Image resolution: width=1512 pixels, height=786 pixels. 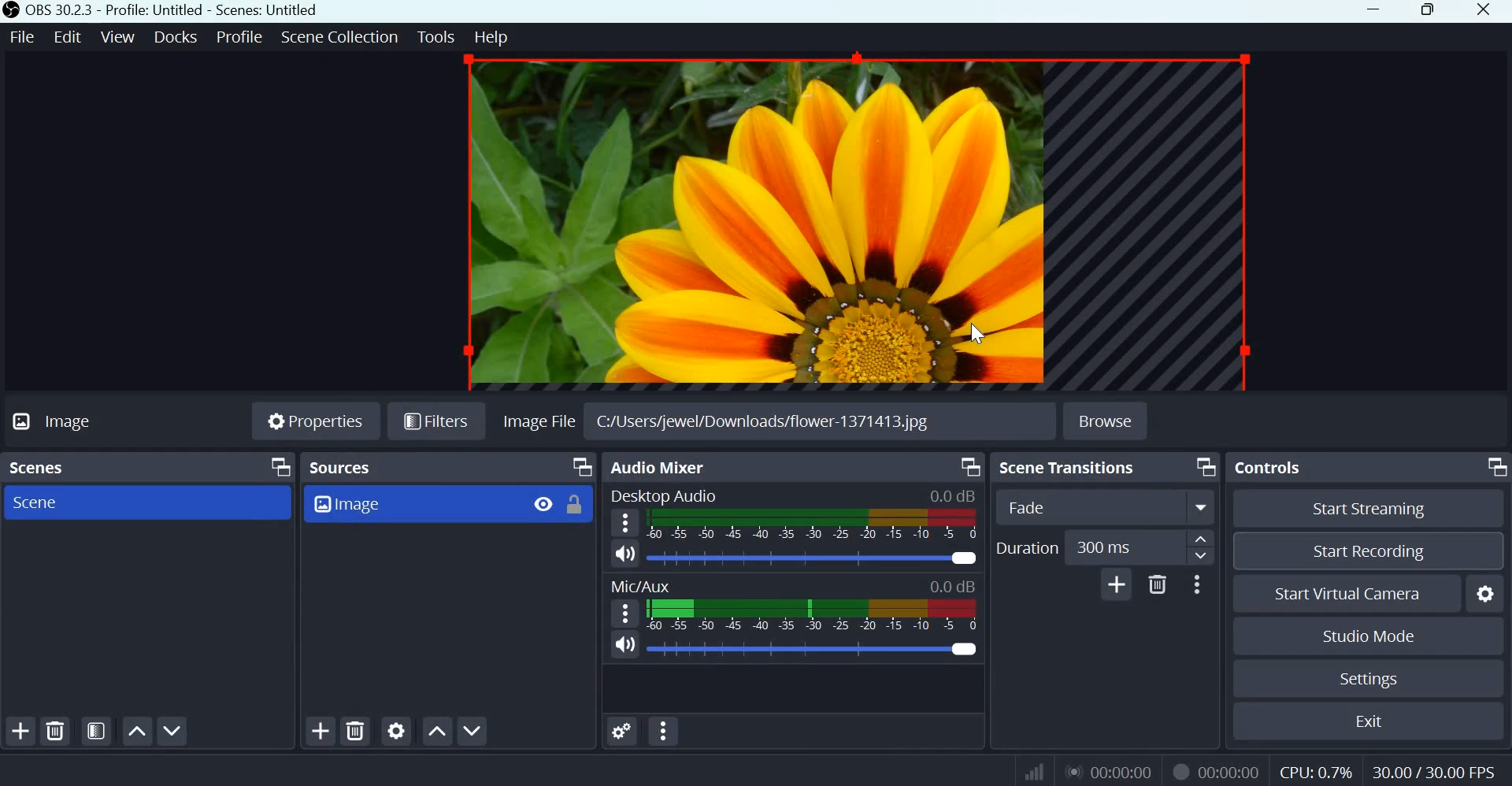 I want to click on Start virtual camera, so click(x=1359, y=591).